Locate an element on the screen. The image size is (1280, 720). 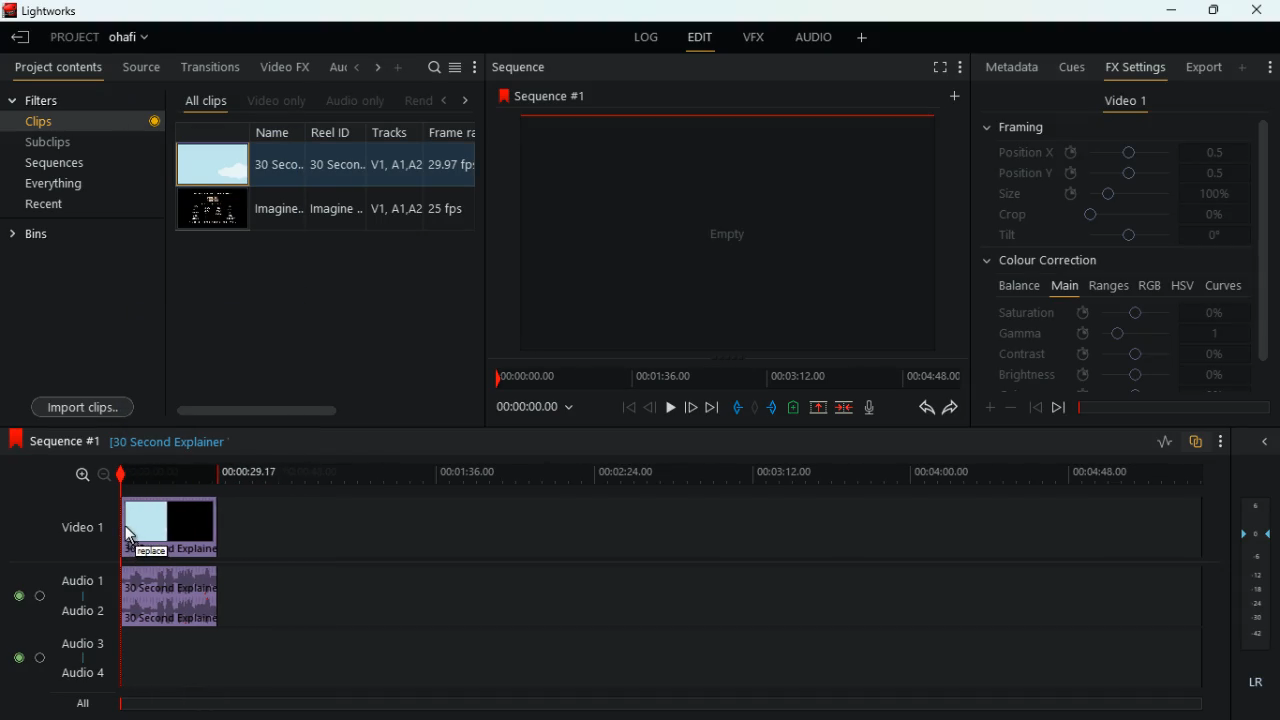
right is located at coordinates (460, 101).